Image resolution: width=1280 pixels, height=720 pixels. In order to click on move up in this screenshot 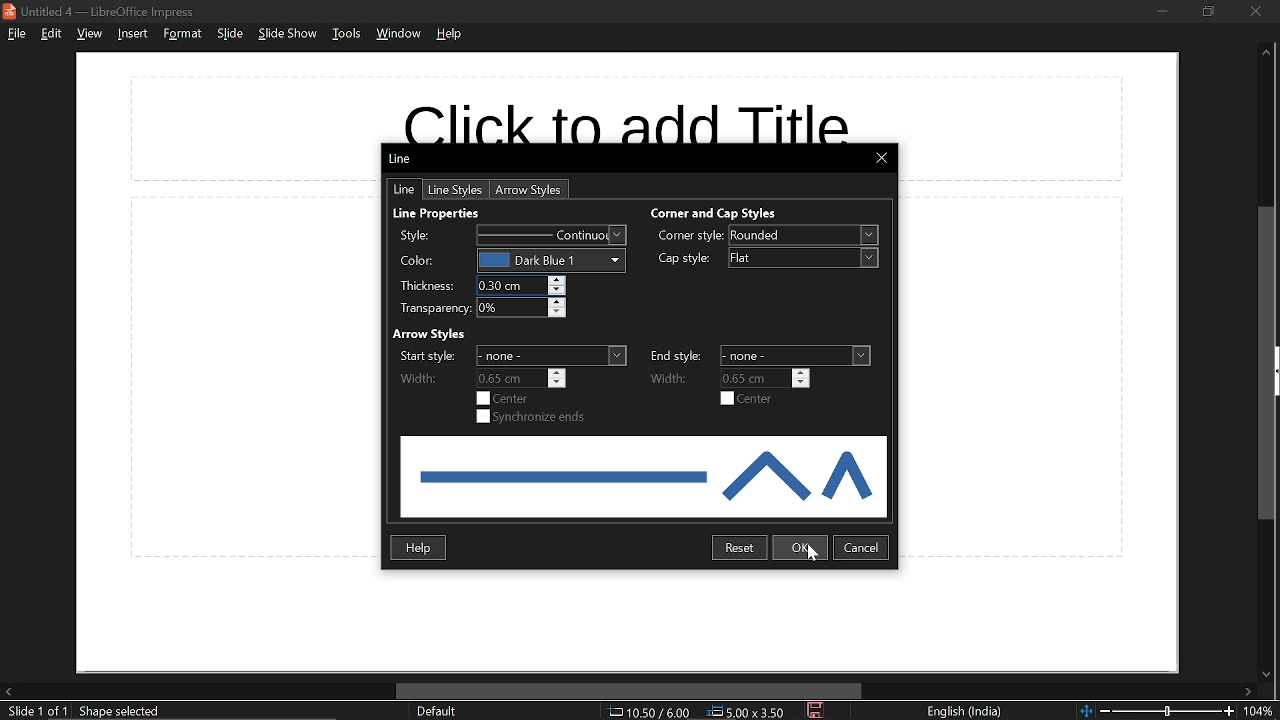, I will do `click(1266, 53)`.